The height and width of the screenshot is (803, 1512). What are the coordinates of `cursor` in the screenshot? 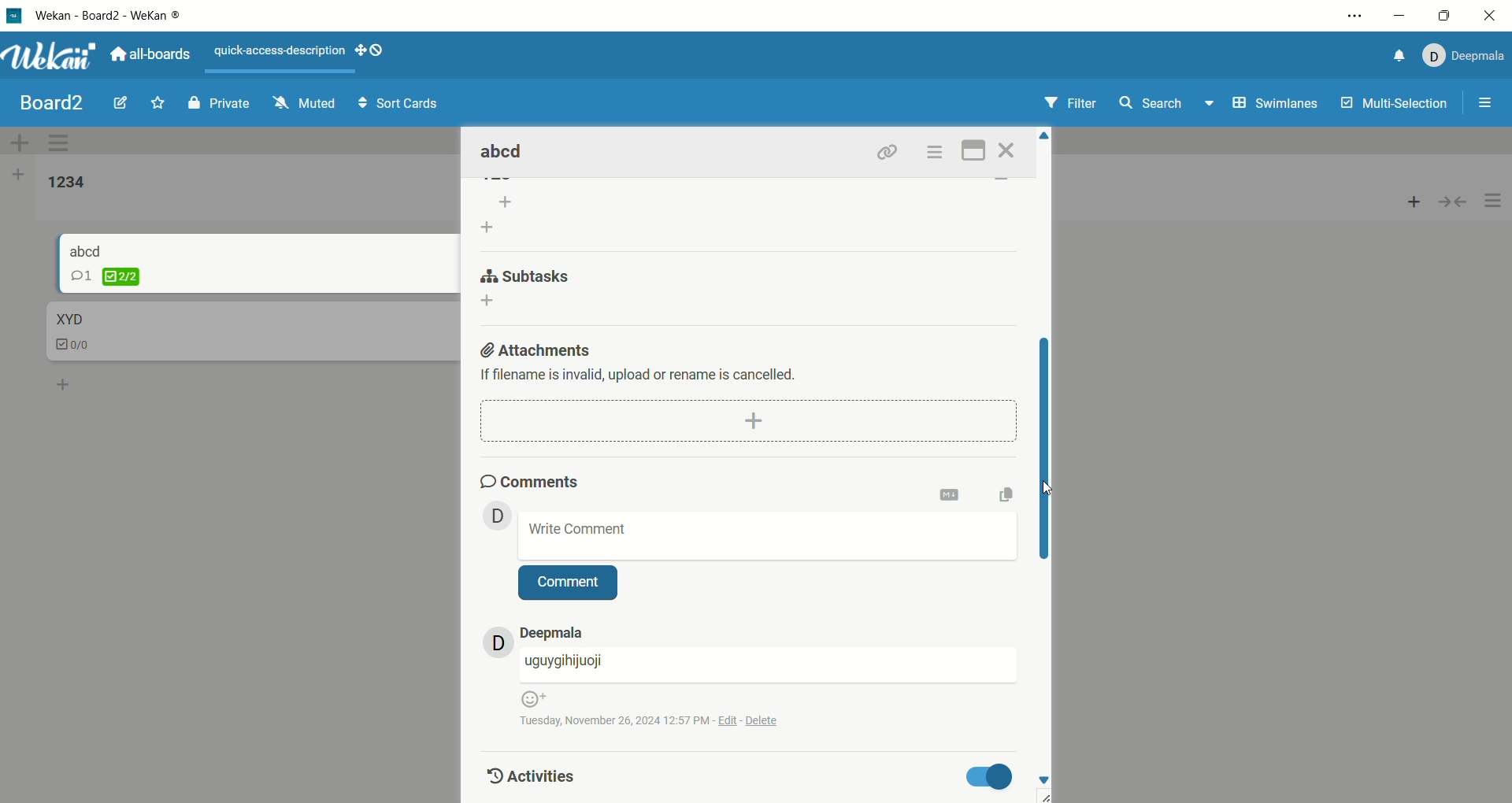 It's located at (1043, 490).